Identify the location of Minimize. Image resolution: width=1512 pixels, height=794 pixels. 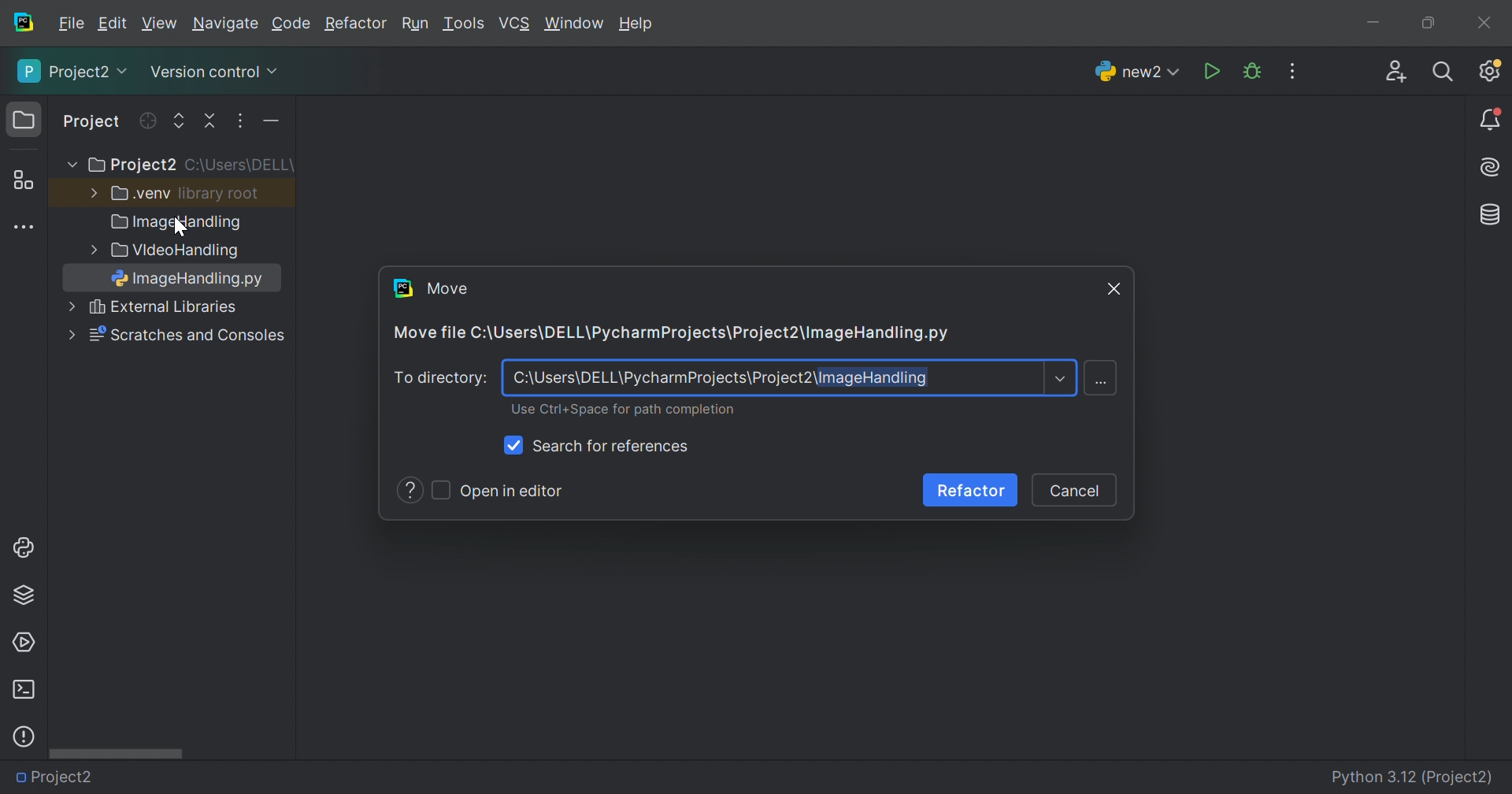
(1378, 25).